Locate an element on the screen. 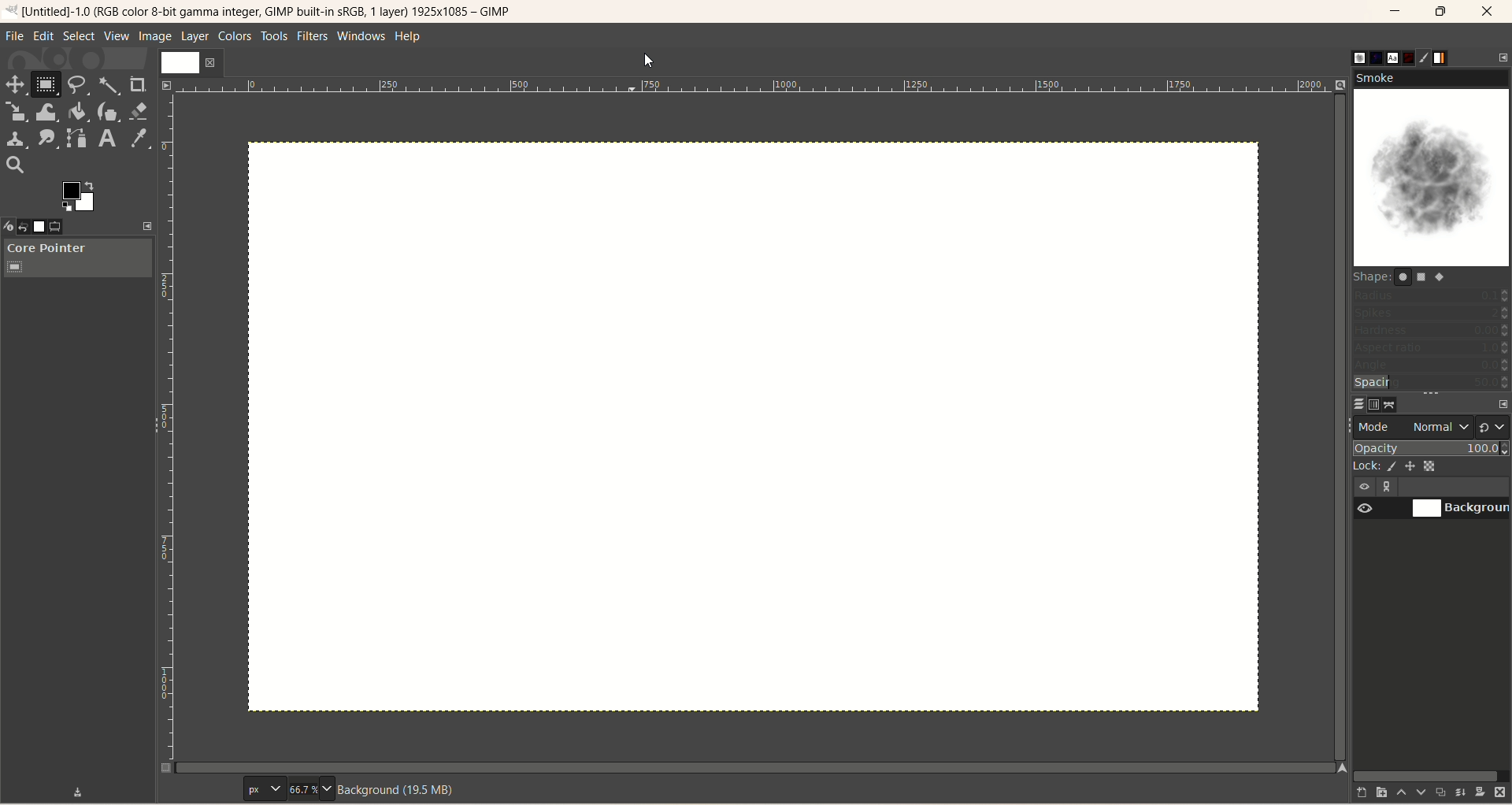  active foreground color is located at coordinates (80, 196).